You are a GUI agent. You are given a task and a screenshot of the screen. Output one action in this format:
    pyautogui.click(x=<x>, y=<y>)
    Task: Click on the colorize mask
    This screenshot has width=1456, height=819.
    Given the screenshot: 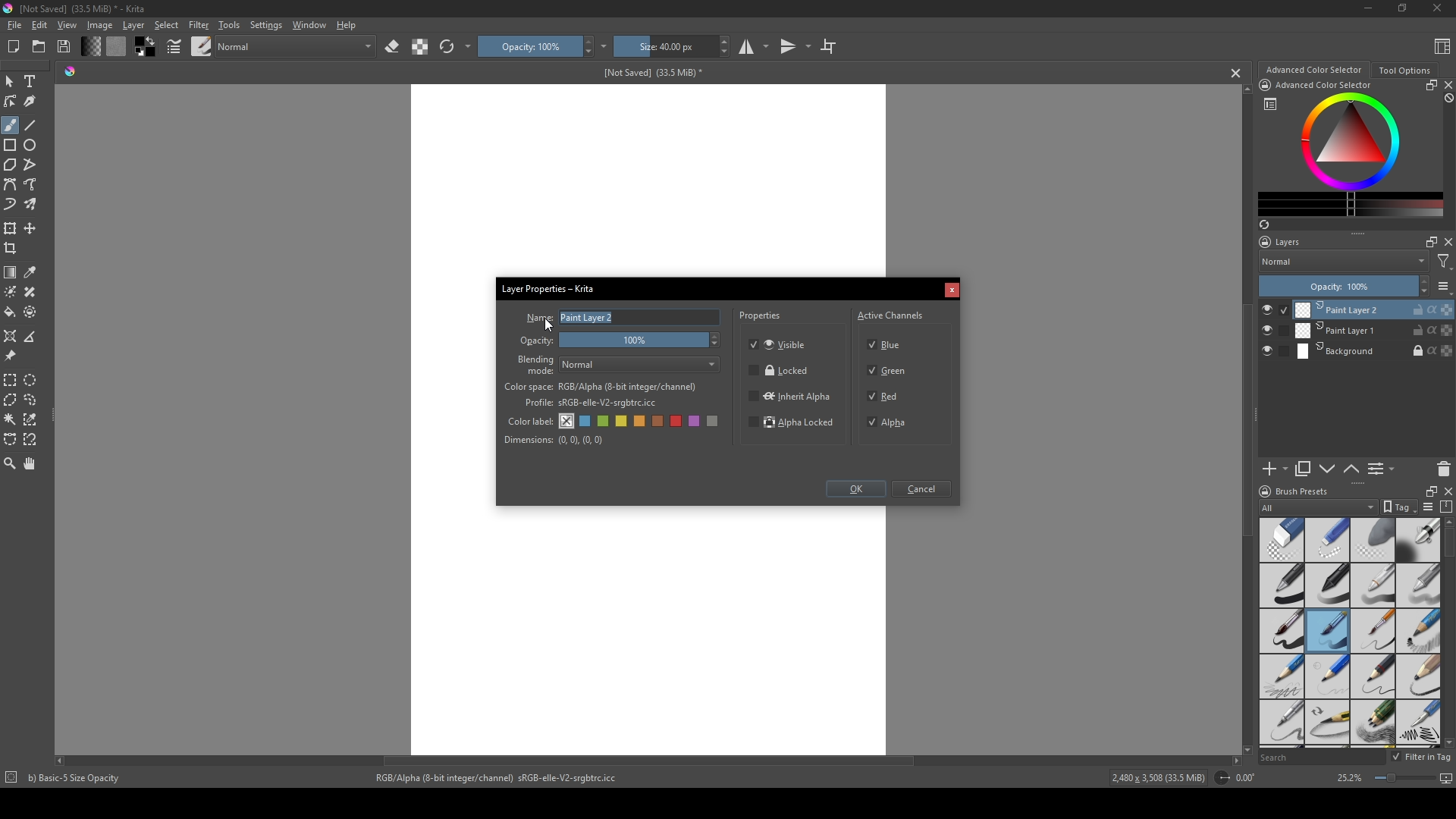 What is the action you would take?
    pyautogui.click(x=11, y=291)
    